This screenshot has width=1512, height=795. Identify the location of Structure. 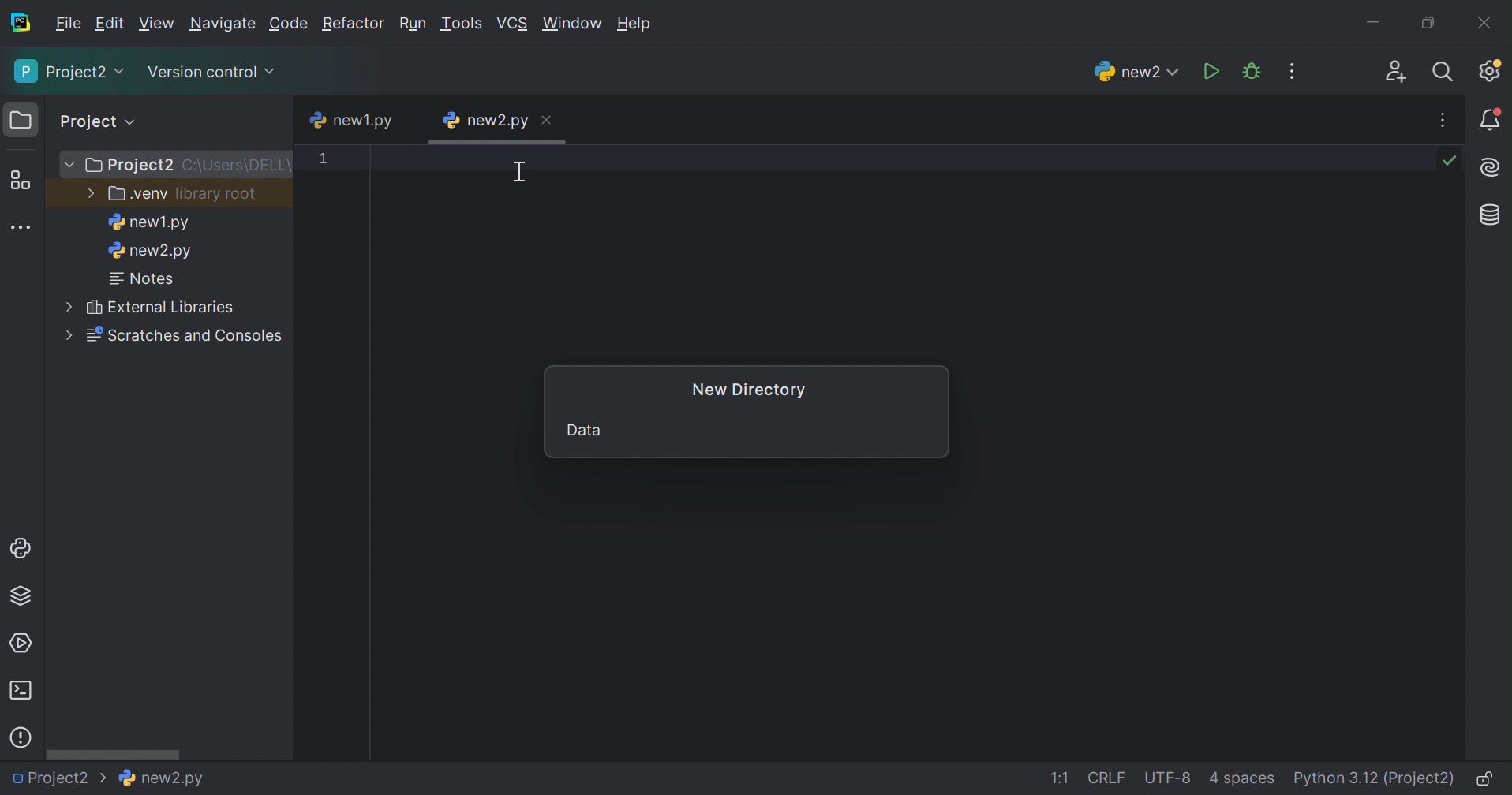
(21, 181).